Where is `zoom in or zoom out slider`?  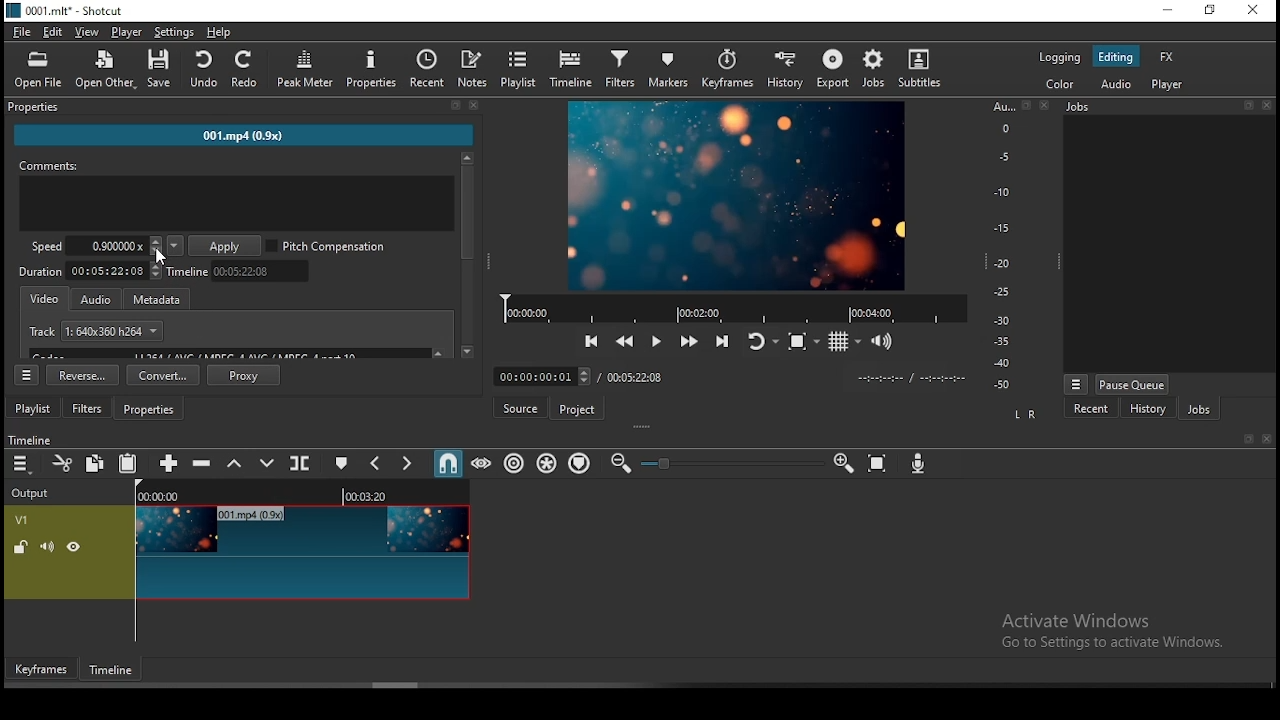
zoom in or zoom out slider is located at coordinates (727, 462).